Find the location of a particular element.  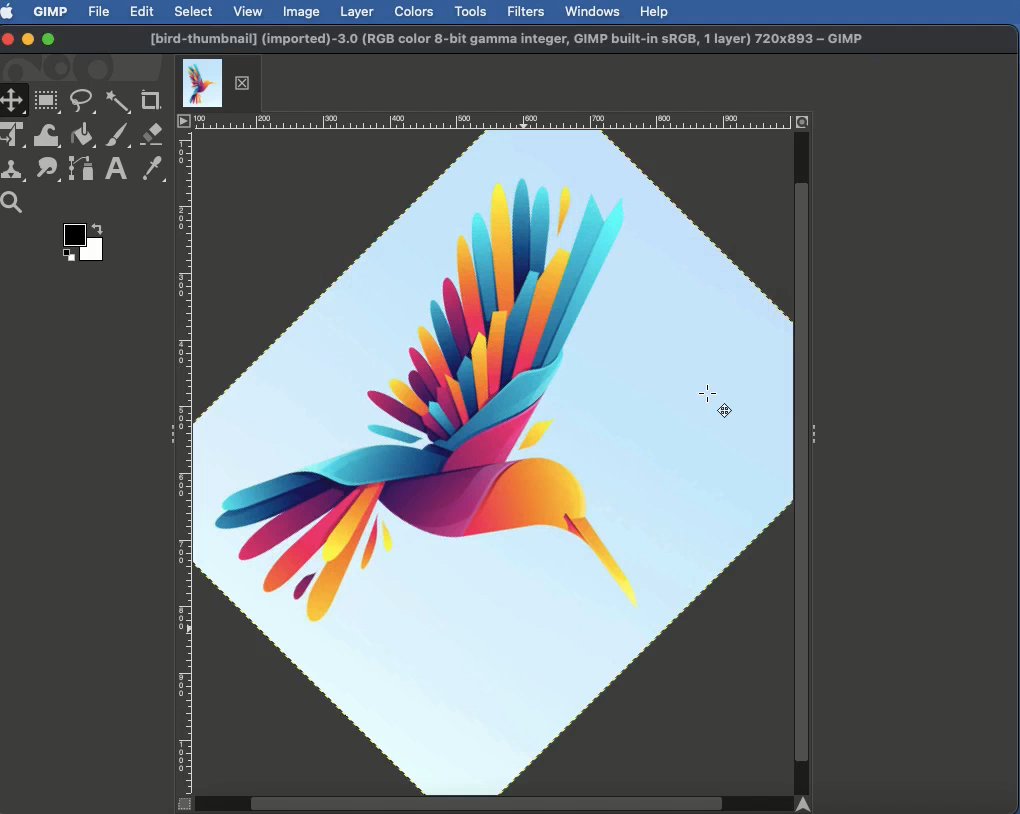

cursor is located at coordinates (718, 404).